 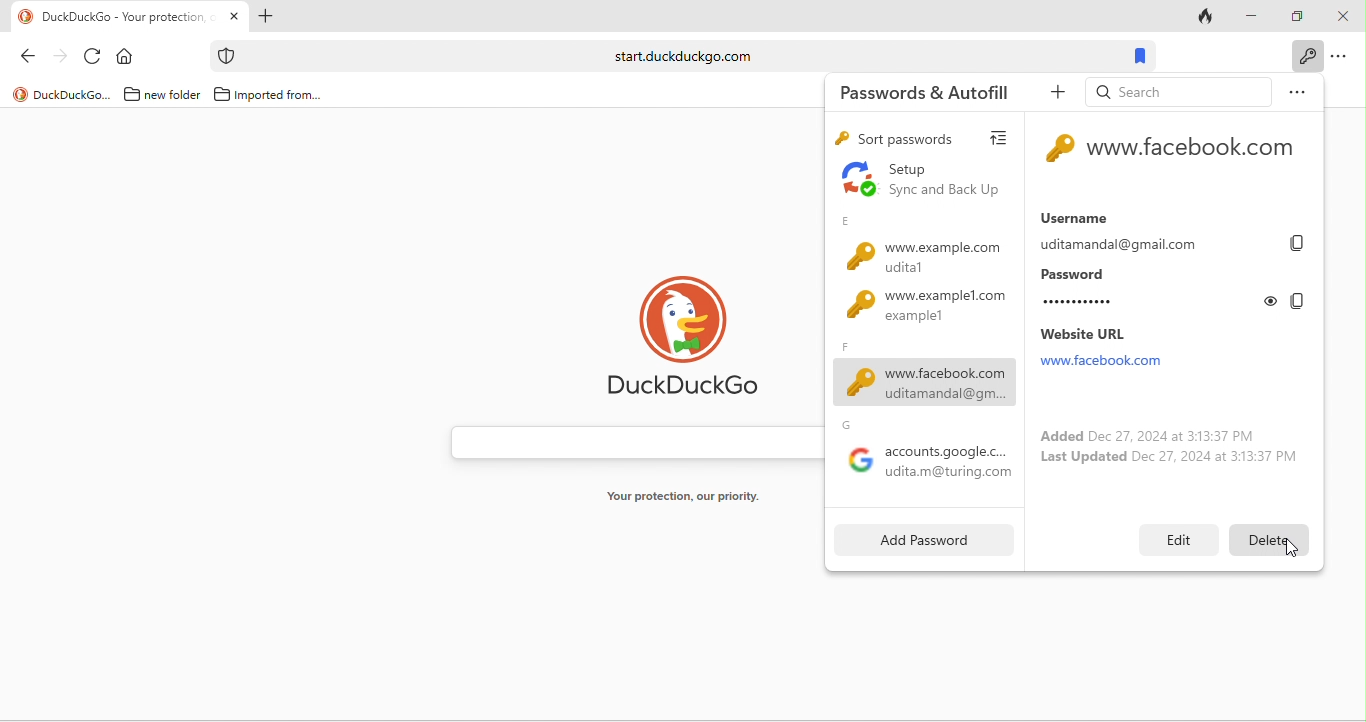 I want to click on sort passwords, so click(x=899, y=140).